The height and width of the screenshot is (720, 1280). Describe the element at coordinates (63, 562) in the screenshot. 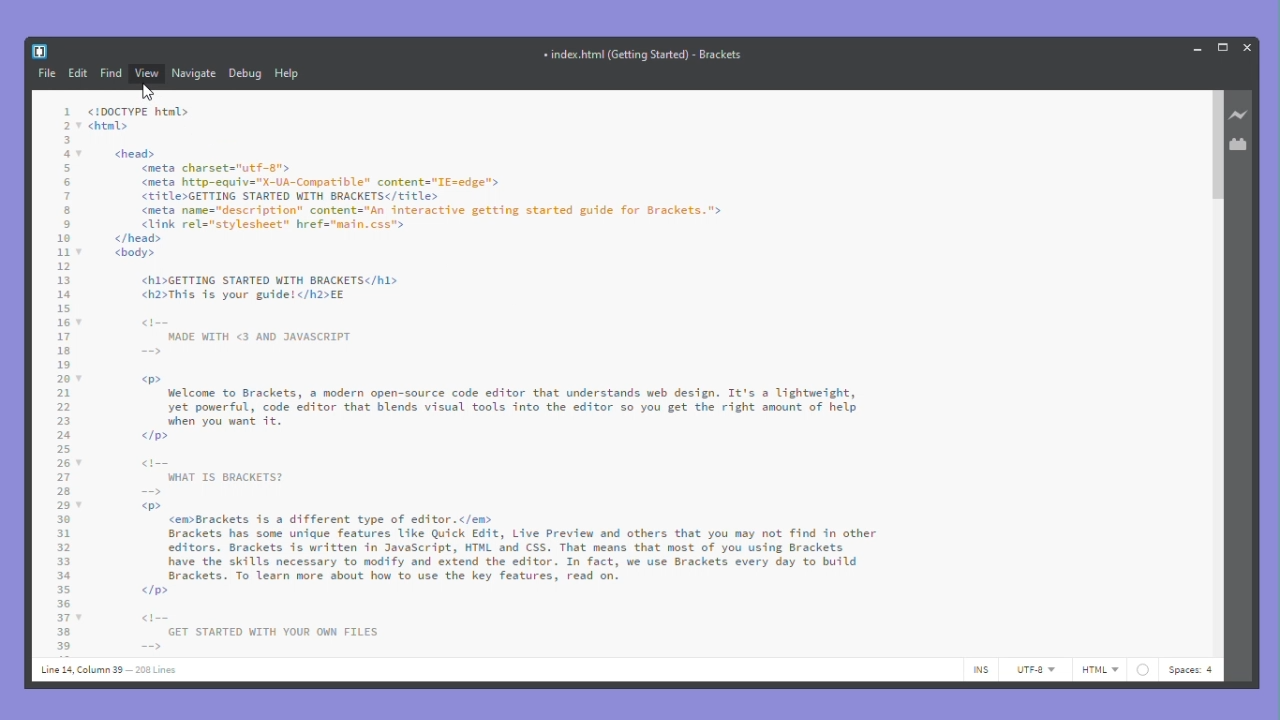

I see `33` at that location.